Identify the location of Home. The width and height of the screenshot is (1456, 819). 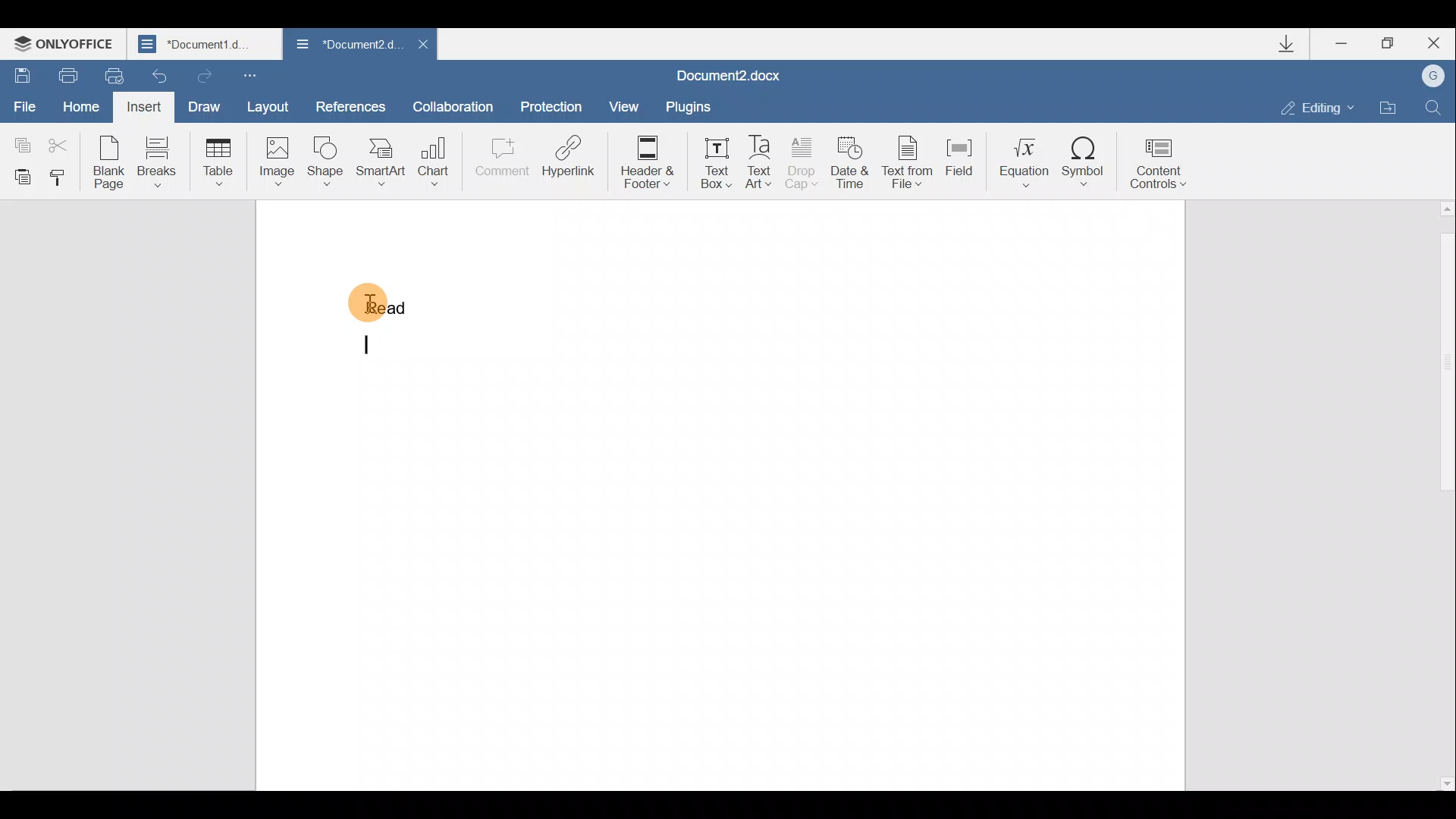
(78, 103).